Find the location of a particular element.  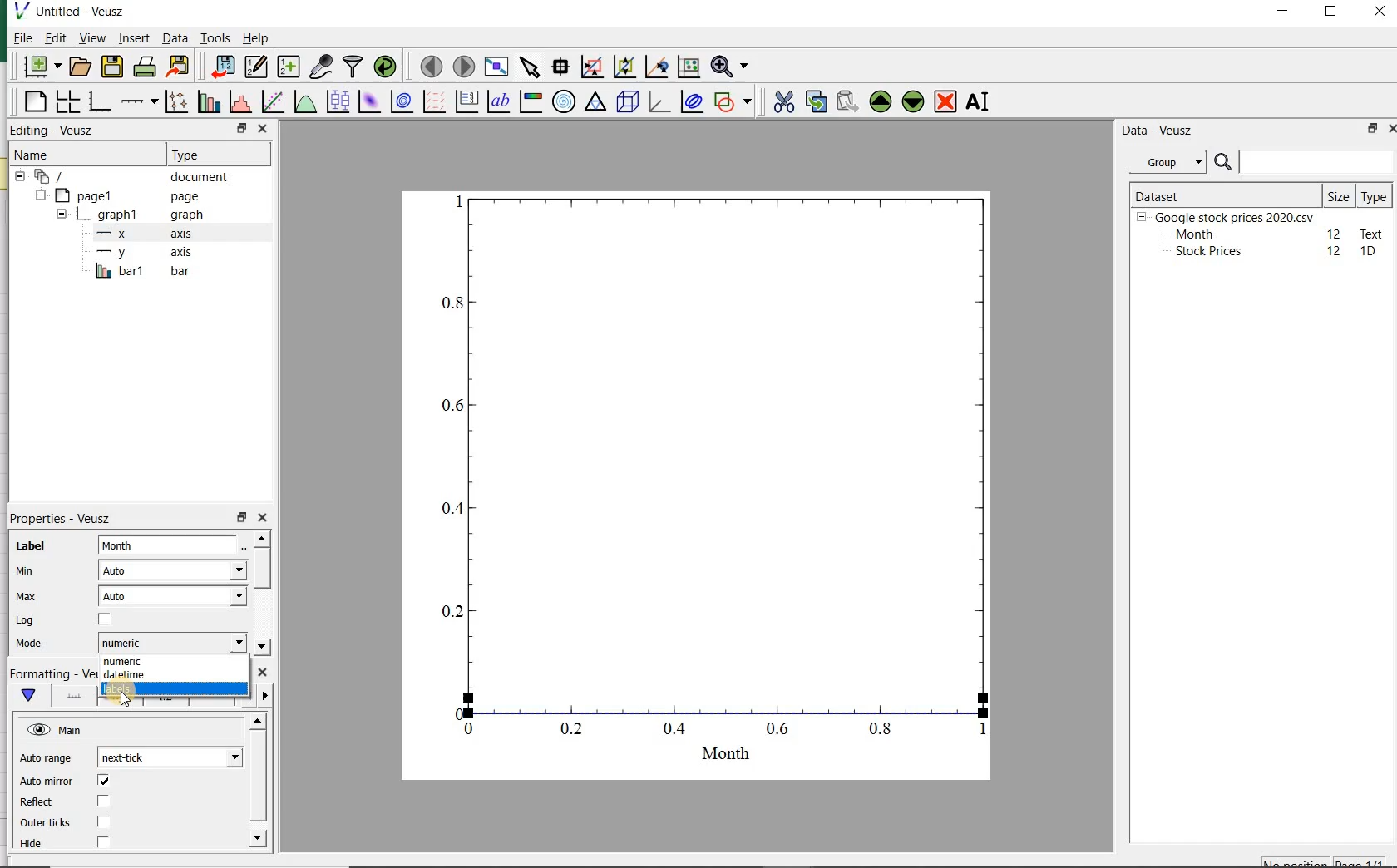

Tools is located at coordinates (215, 38).